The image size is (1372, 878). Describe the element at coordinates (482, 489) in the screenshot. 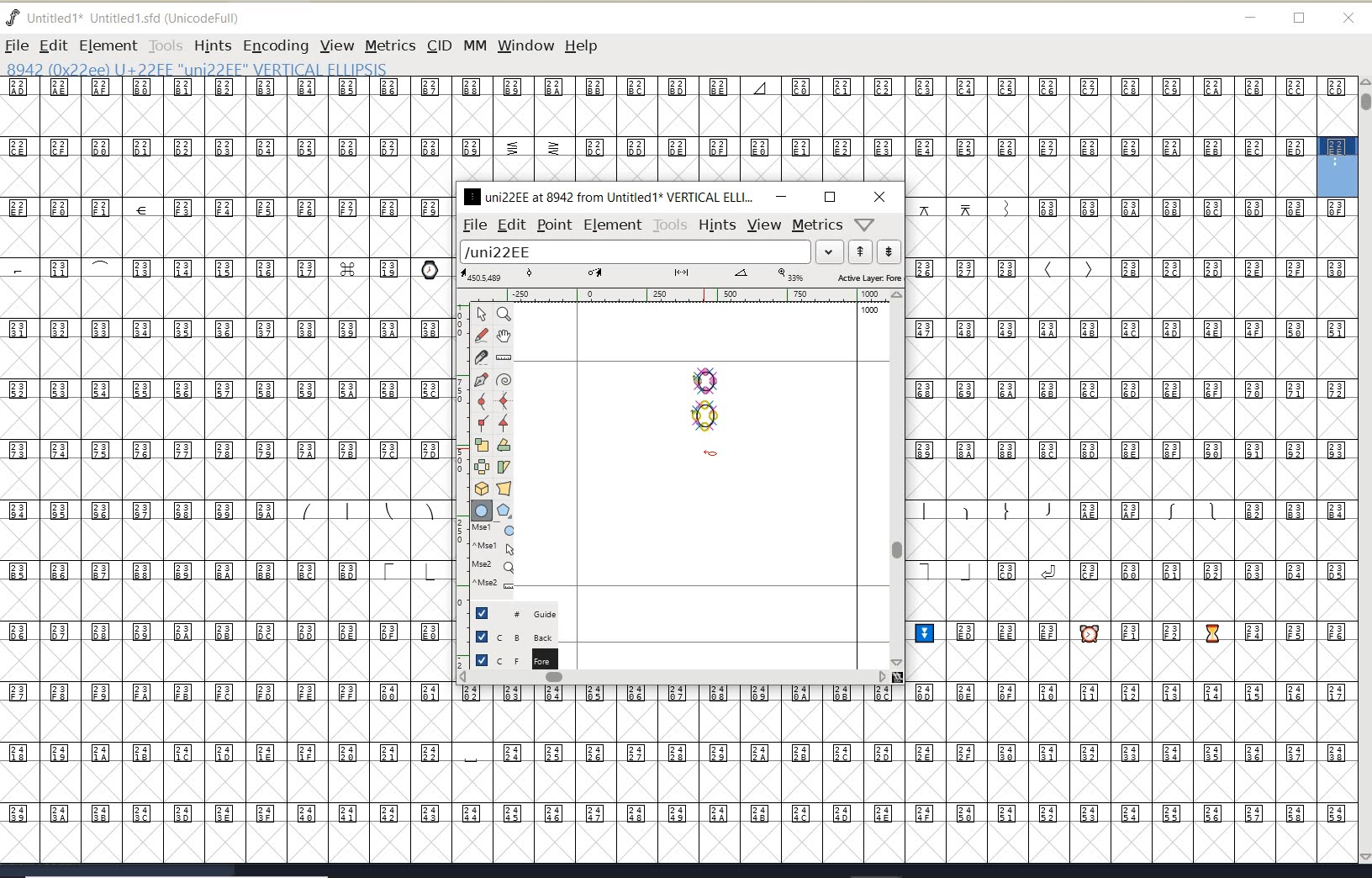

I see `rotate the selection in 3d and project back to plane` at that location.